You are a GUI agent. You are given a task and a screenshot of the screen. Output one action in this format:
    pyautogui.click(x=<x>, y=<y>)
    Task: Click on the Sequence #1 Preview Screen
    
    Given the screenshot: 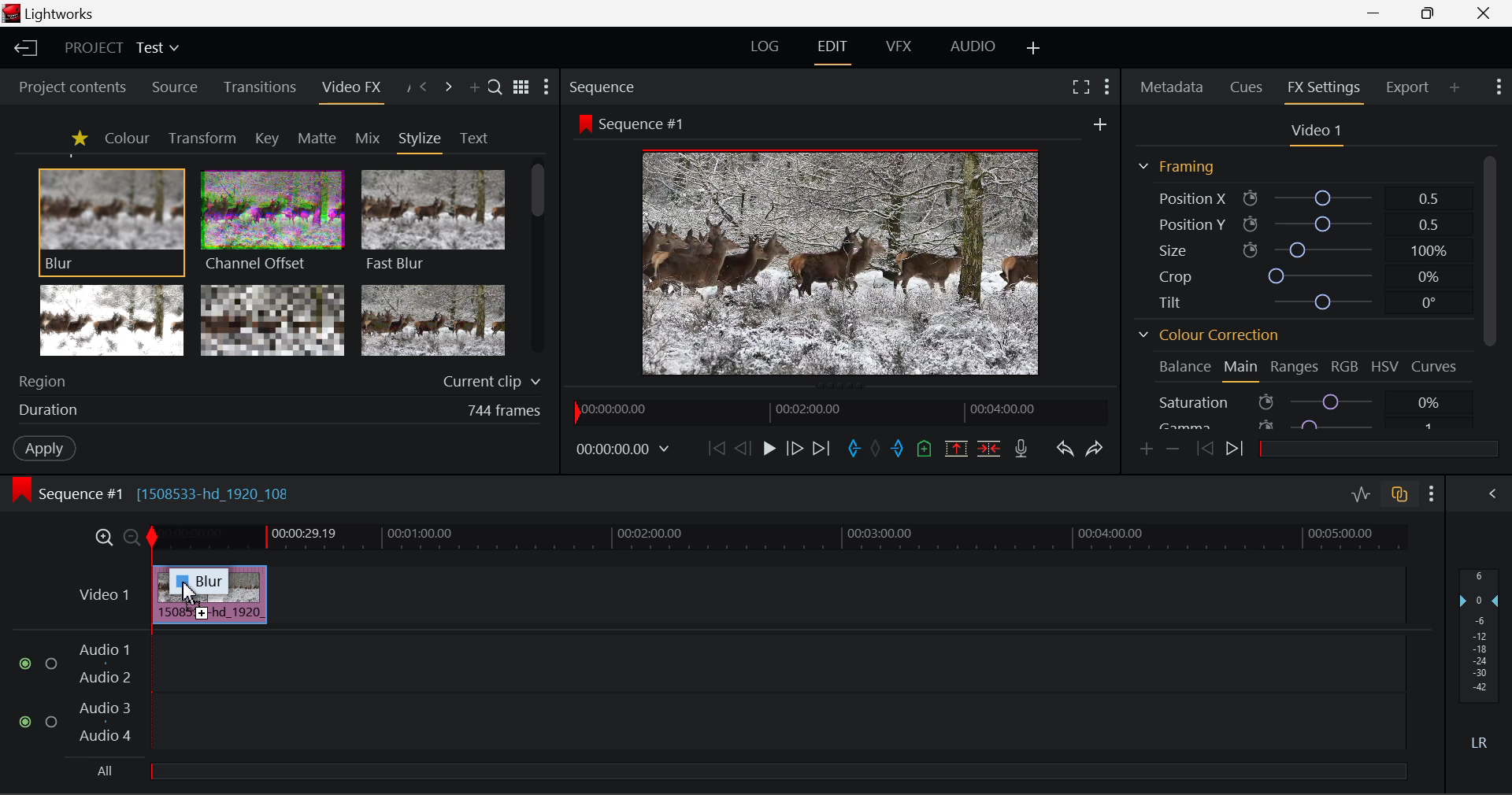 What is the action you would take?
    pyautogui.click(x=843, y=244)
    